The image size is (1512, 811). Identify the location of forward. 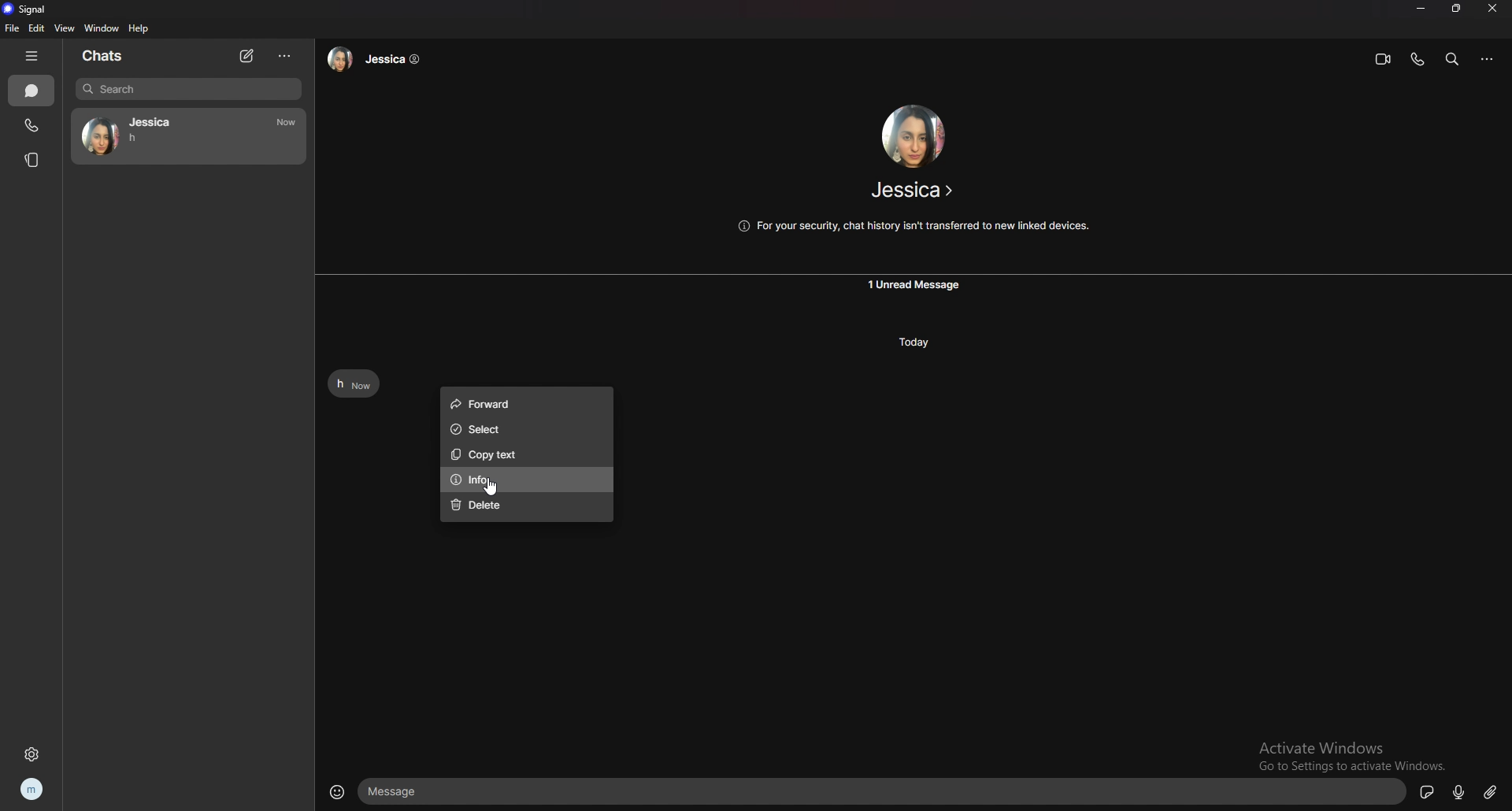
(521, 402).